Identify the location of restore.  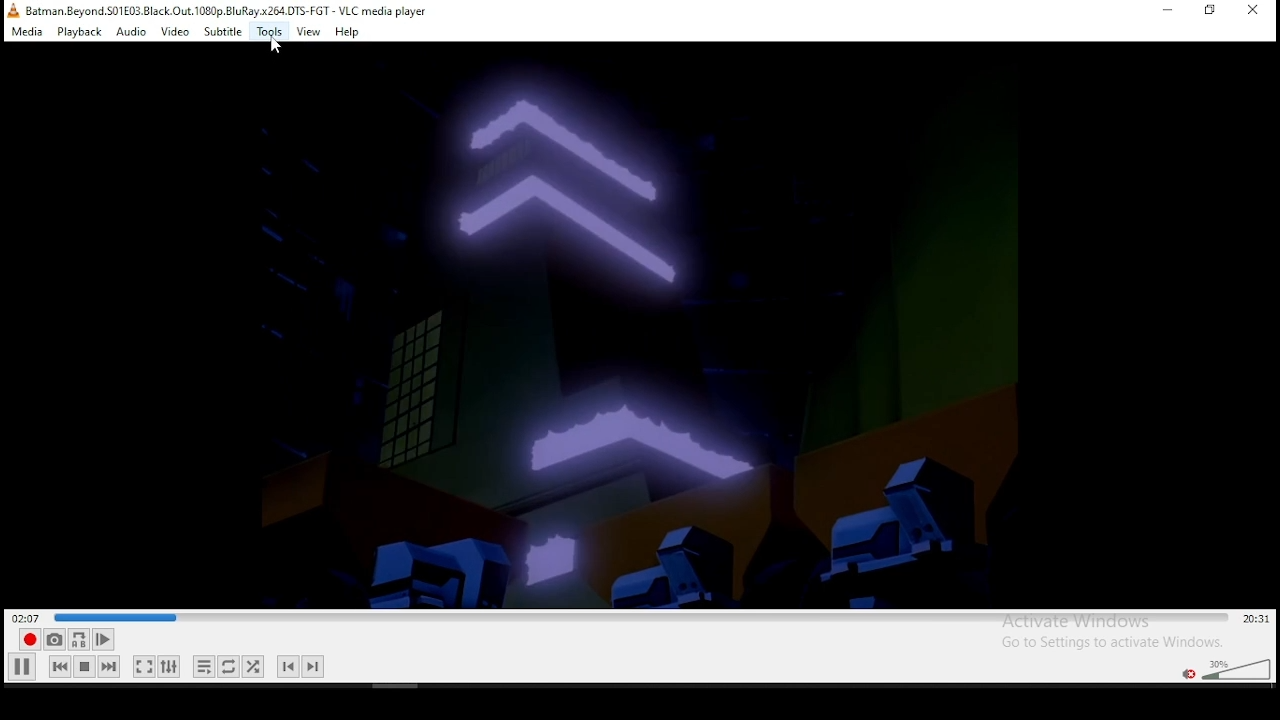
(1210, 11).